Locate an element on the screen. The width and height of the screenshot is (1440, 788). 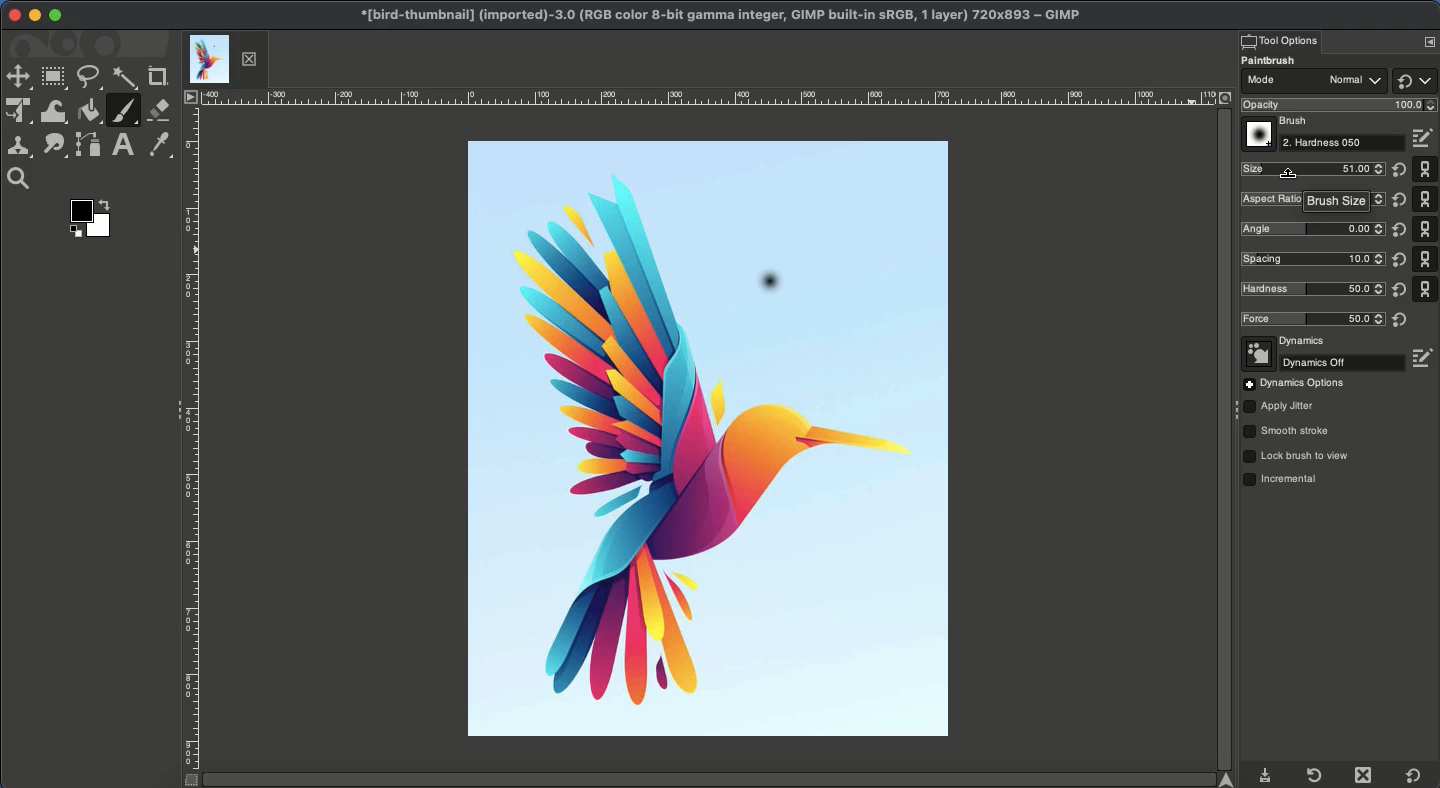
Edit is located at coordinates (1425, 358).